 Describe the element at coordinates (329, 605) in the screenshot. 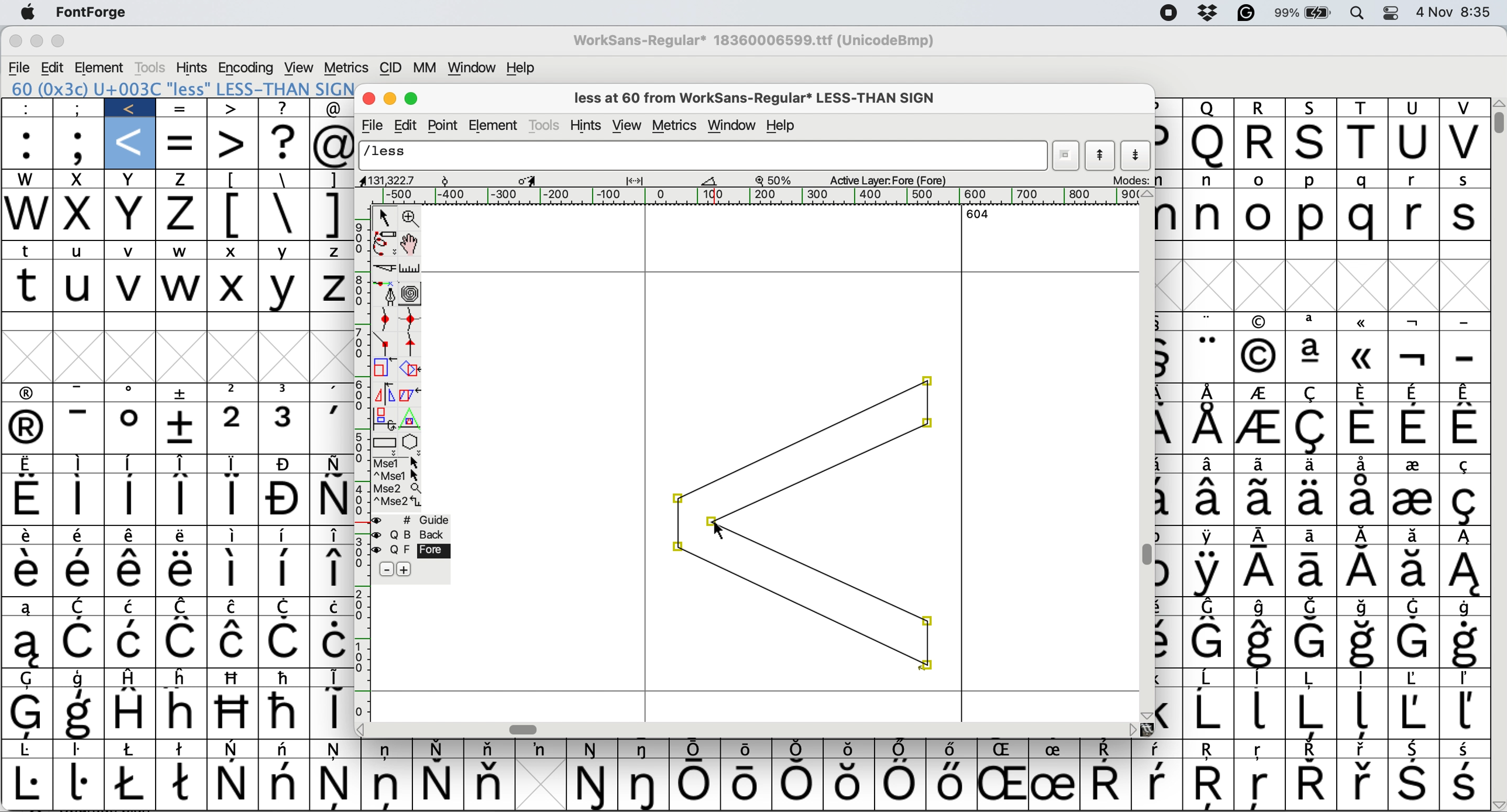

I see `Symbol` at that location.